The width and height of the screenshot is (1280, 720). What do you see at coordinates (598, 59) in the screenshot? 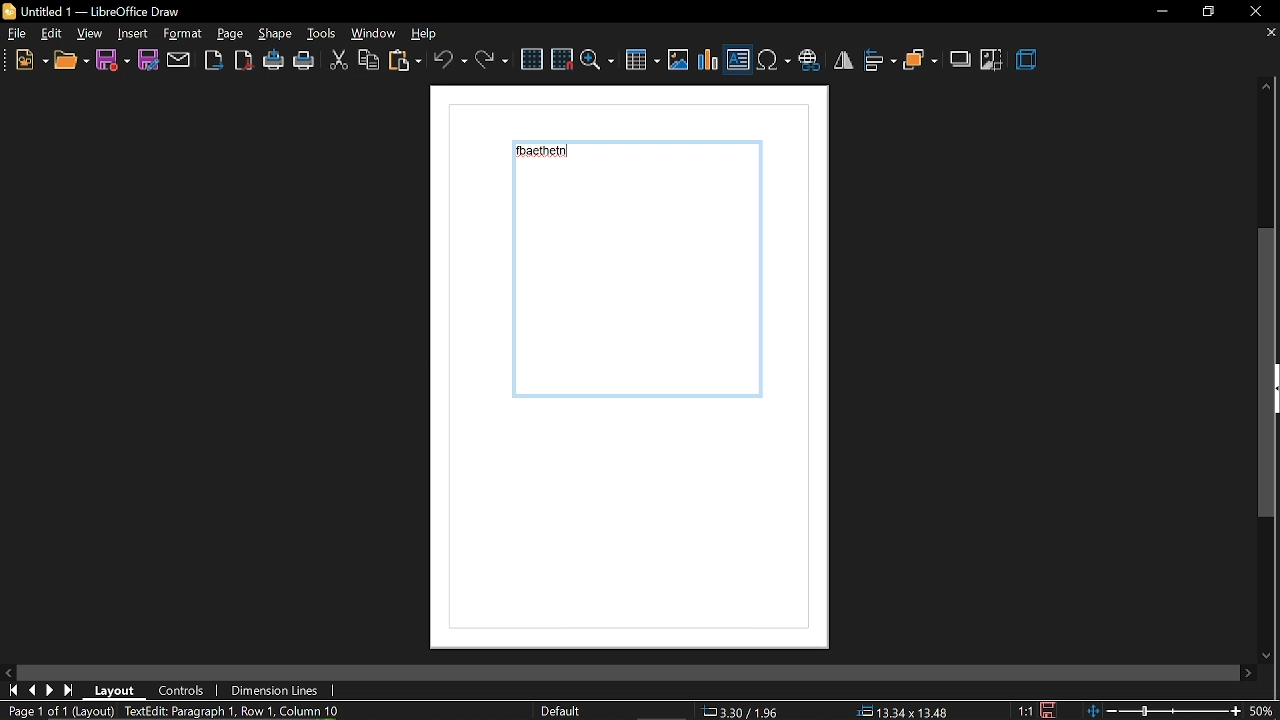
I see `zoom` at bounding box center [598, 59].